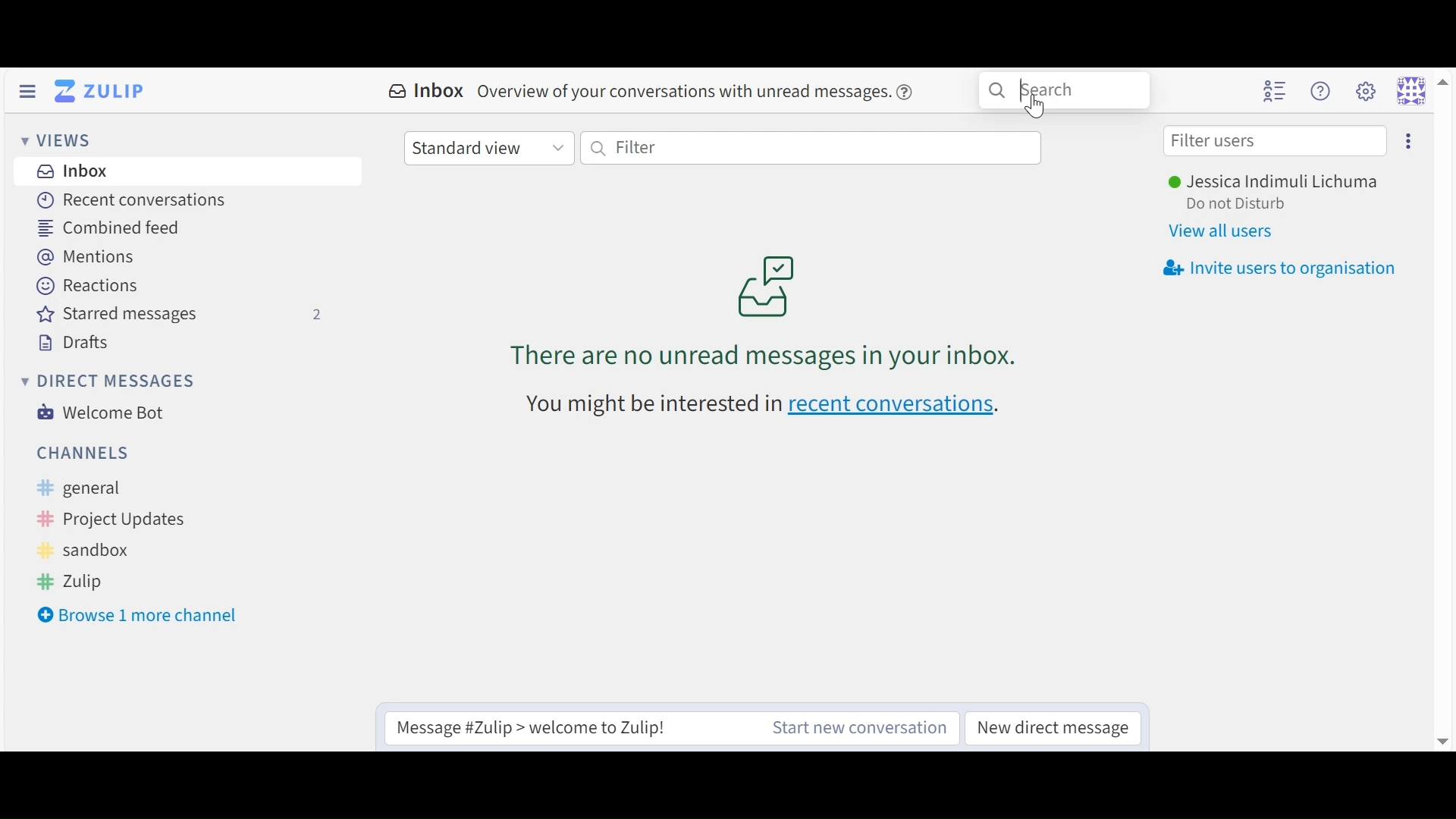 This screenshot has height=819, width=1456. Describe the element at coordinates (101, 413) in the screenshot. I see `Welcome Bot` at that location.